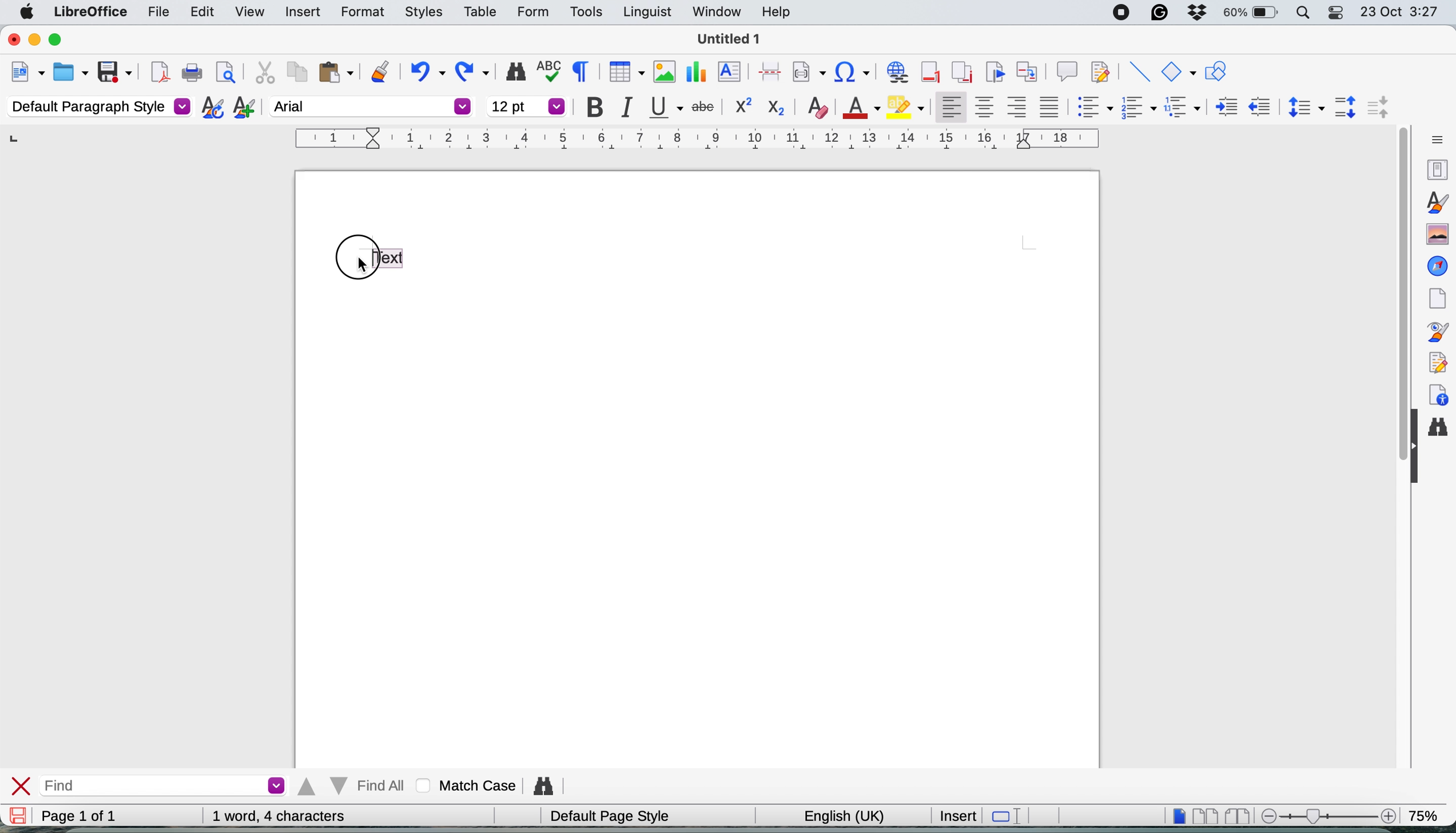  What do you see at coordinates (626, 107) in the screenshot?
I see `italic` at bounding box center [626, 107].